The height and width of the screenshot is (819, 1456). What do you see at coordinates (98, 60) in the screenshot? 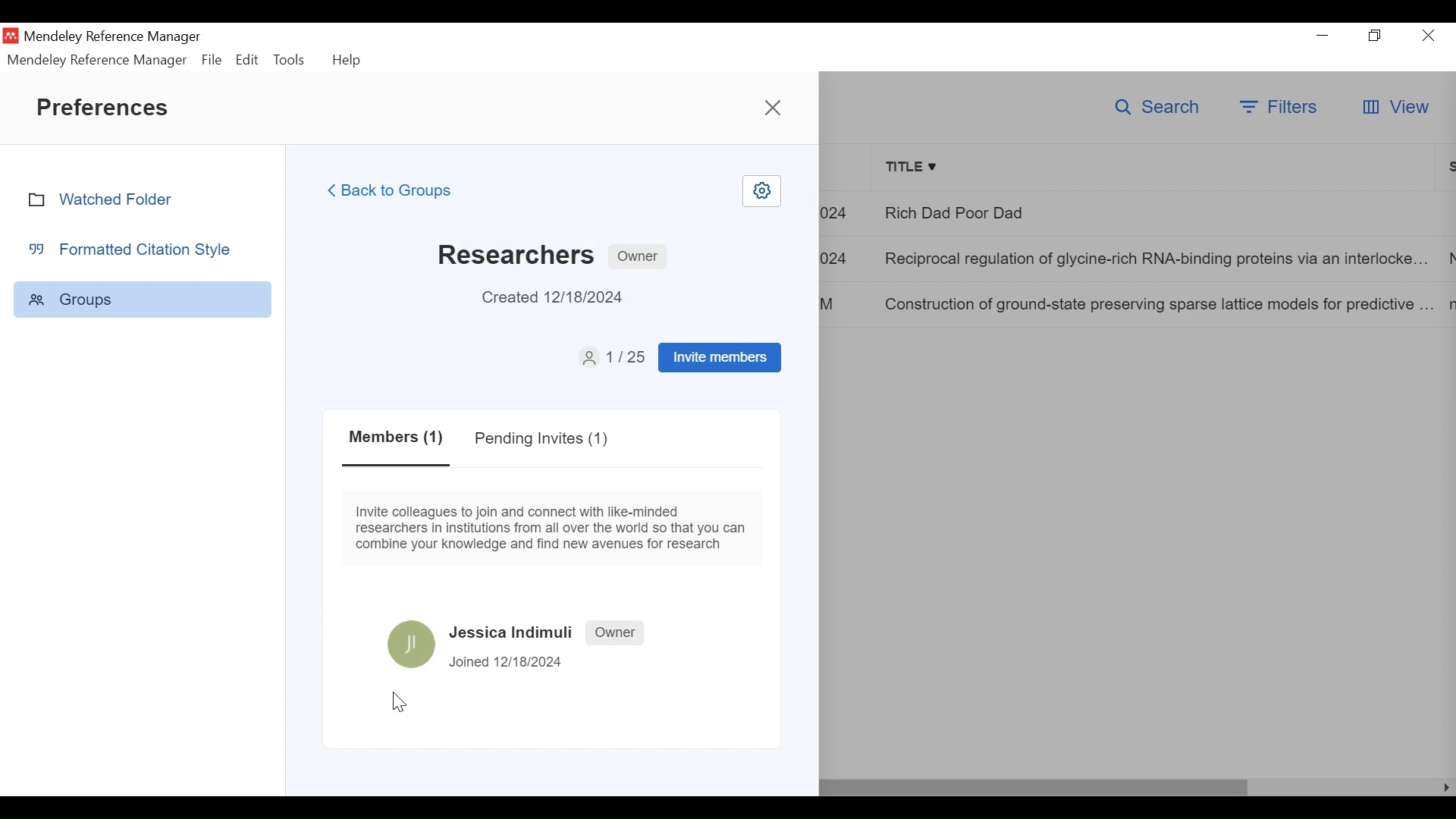
I see `Mendeley Reference Manager` at bounding box center [98, 60].